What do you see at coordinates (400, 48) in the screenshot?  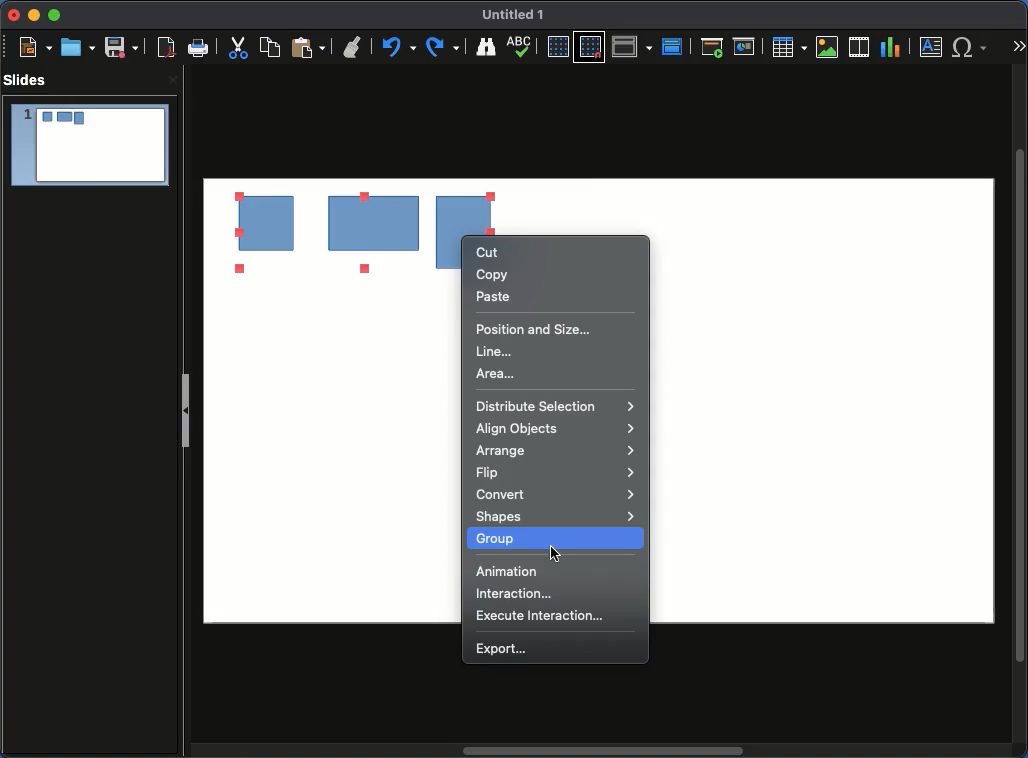 I see `Undo` at bounding box center [400, 48].